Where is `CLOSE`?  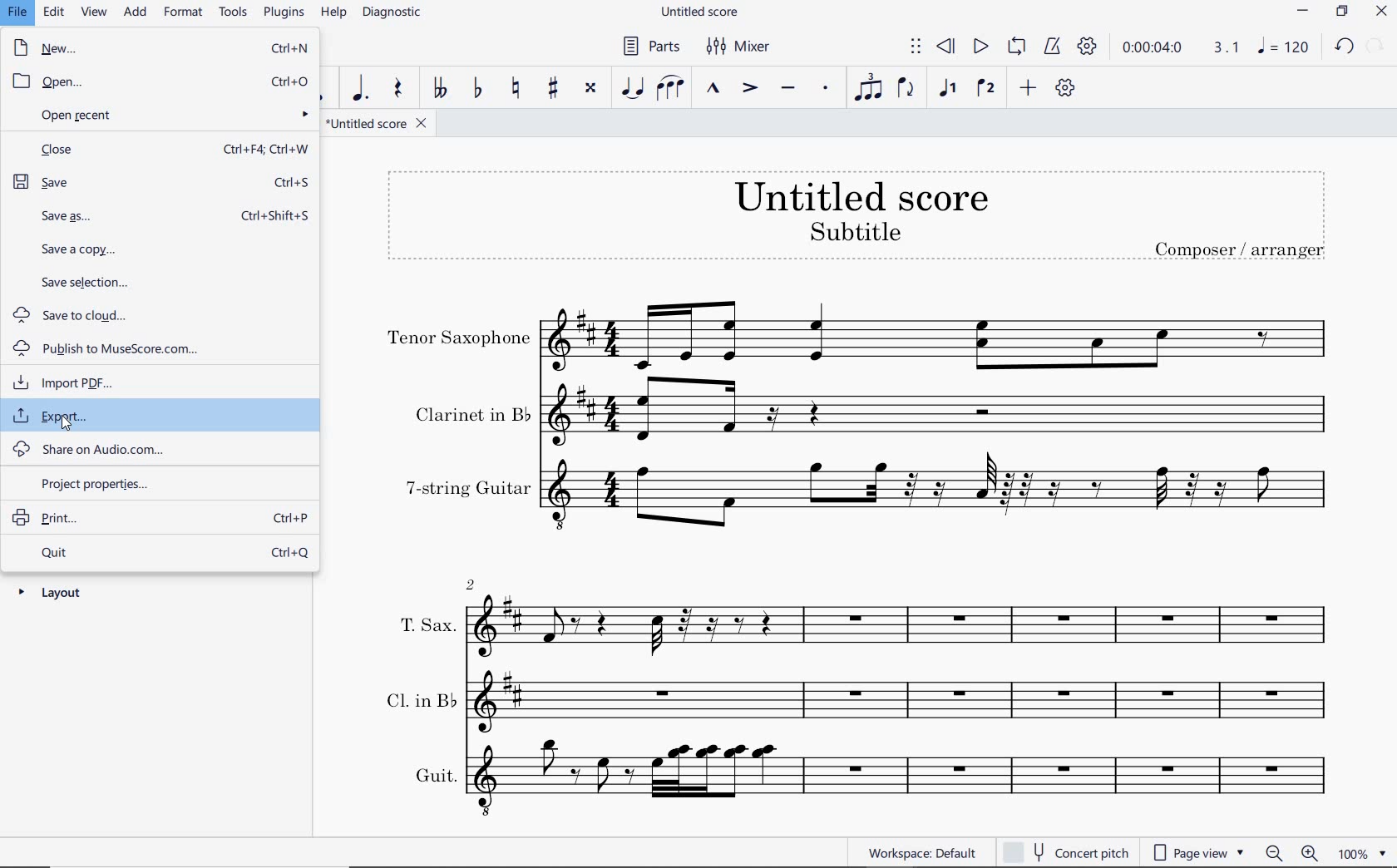 CLOSE is located at coordinates (1381, 11).